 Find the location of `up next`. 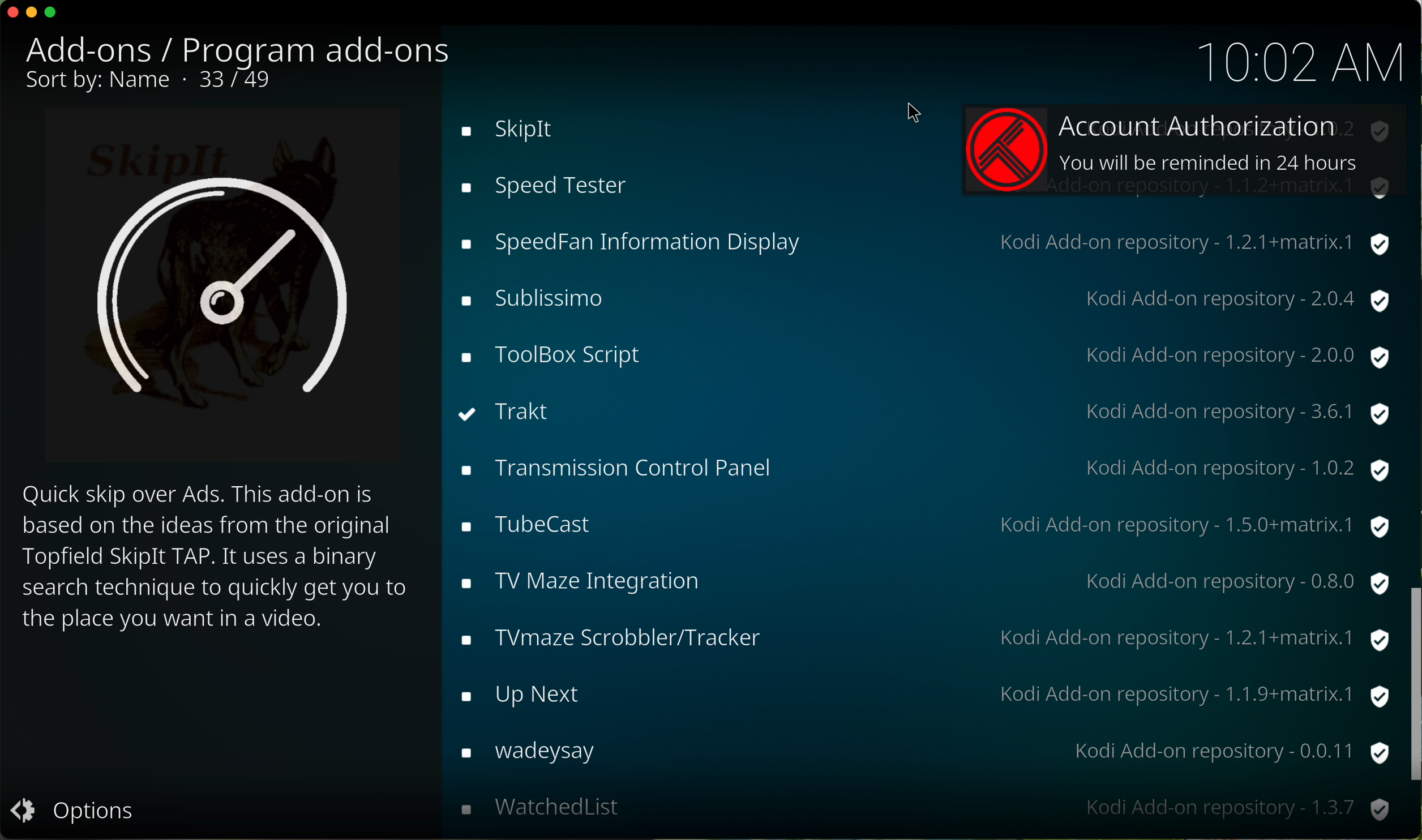

up next is located at coordinates (923, 466).